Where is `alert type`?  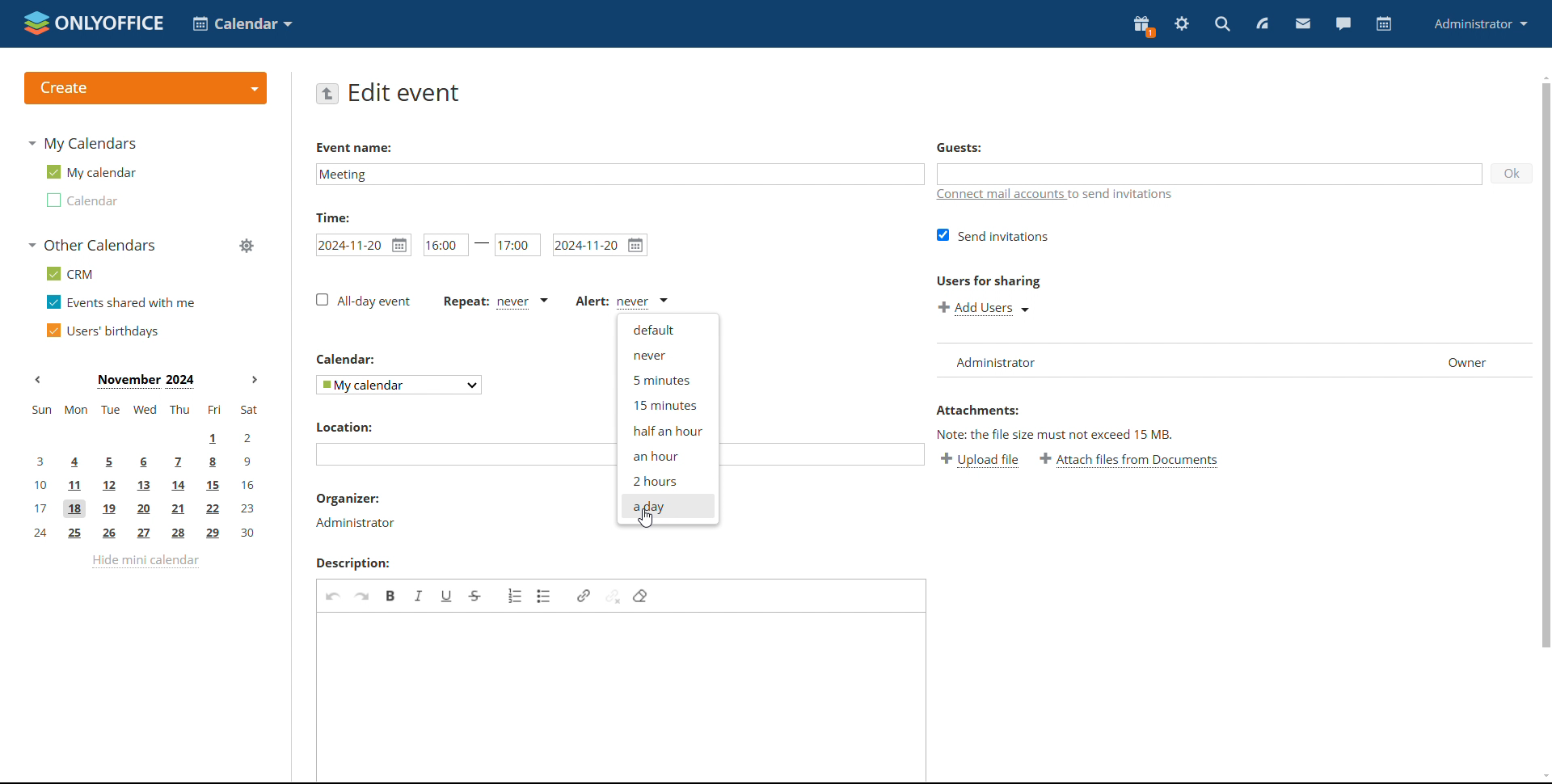 alert type is located at coordinates (622, 301).